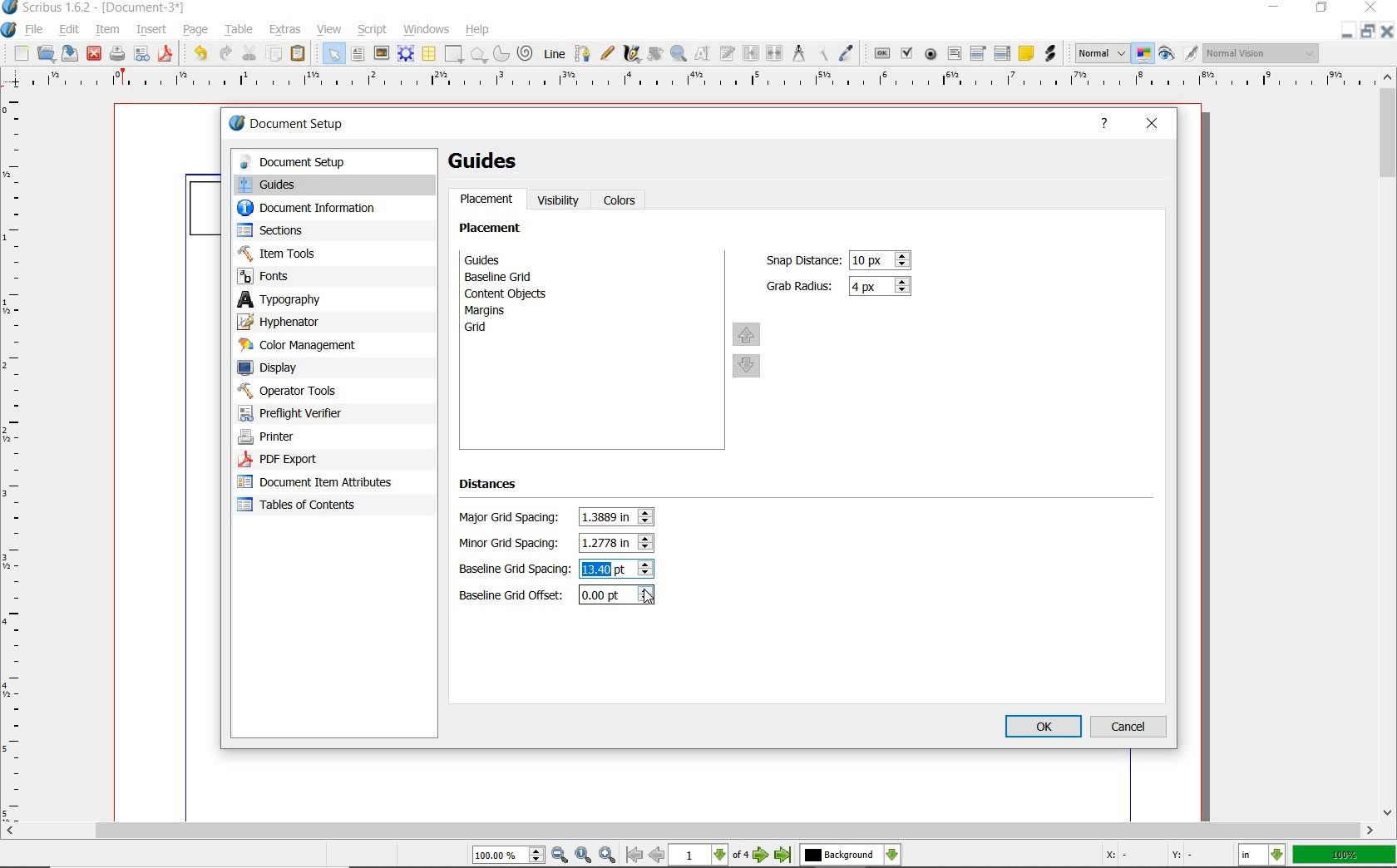 The image size is (1397, 868). Describe the element at coordinates (94, 8) in the screenshot. I see `Scribus 1.6.2 - [Document-3*]` at that location.